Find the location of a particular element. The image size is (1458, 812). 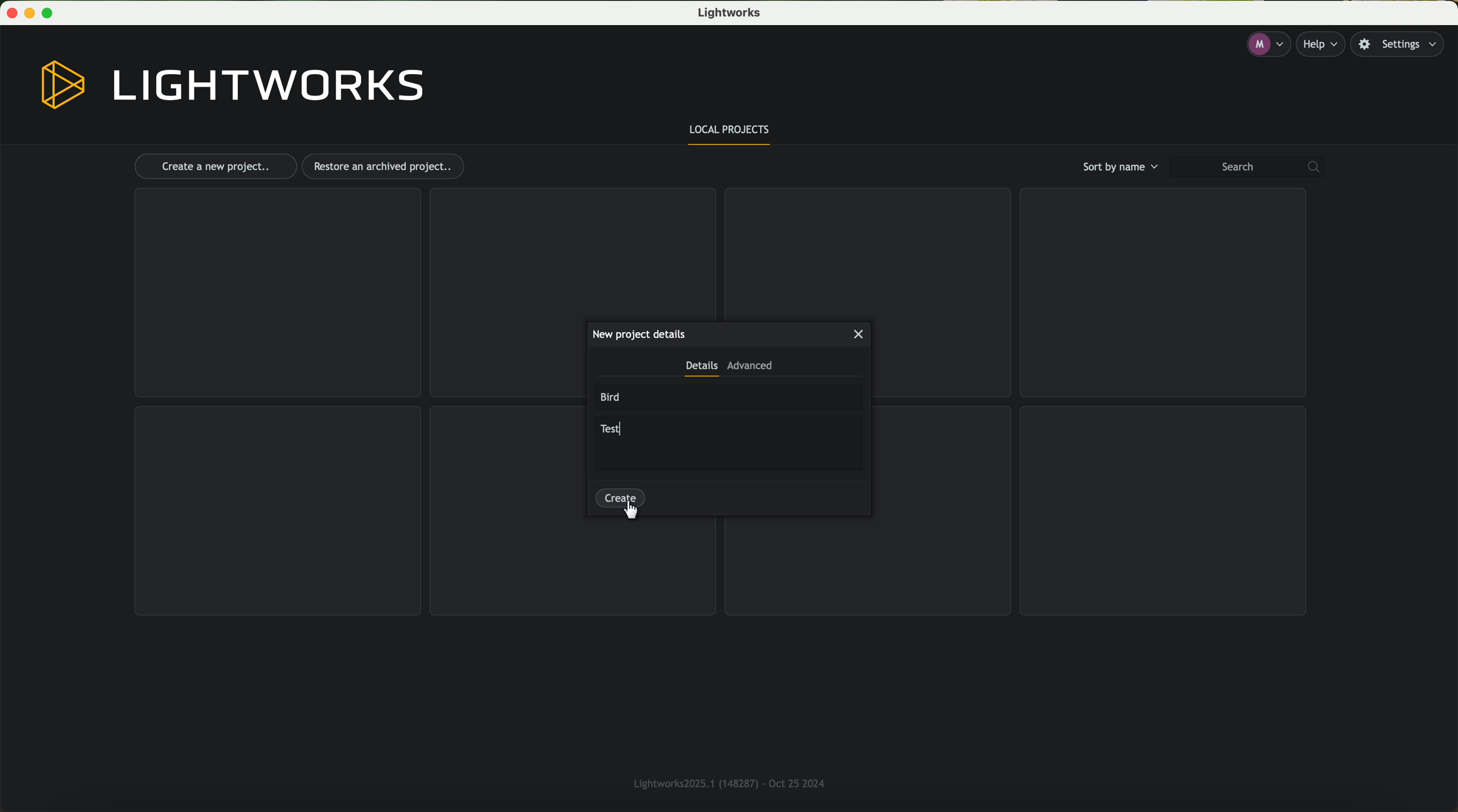

registered trademark is located at coordinates (725, 781).